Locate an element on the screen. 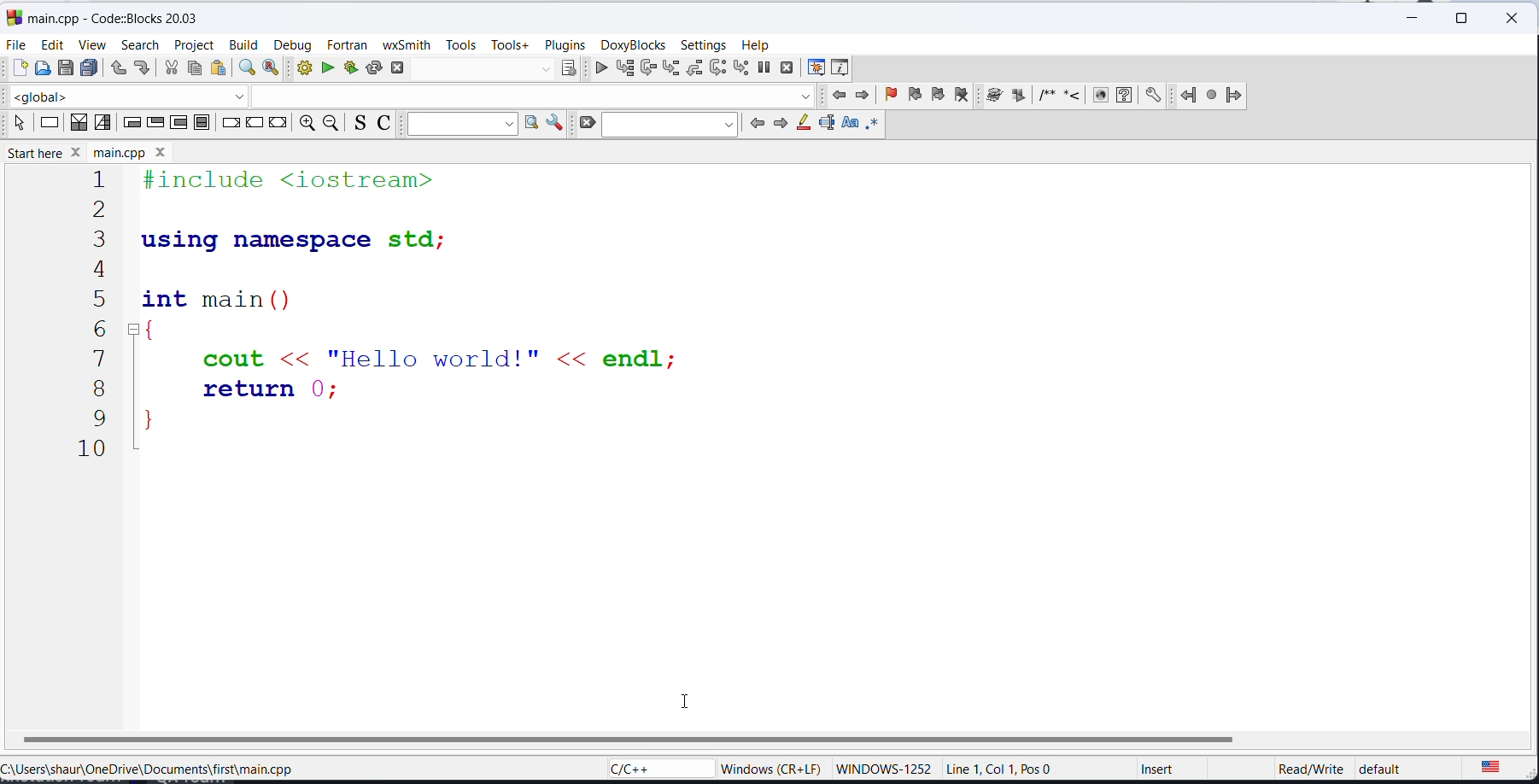  SAVE ALL is located at coordinates (89, 68).